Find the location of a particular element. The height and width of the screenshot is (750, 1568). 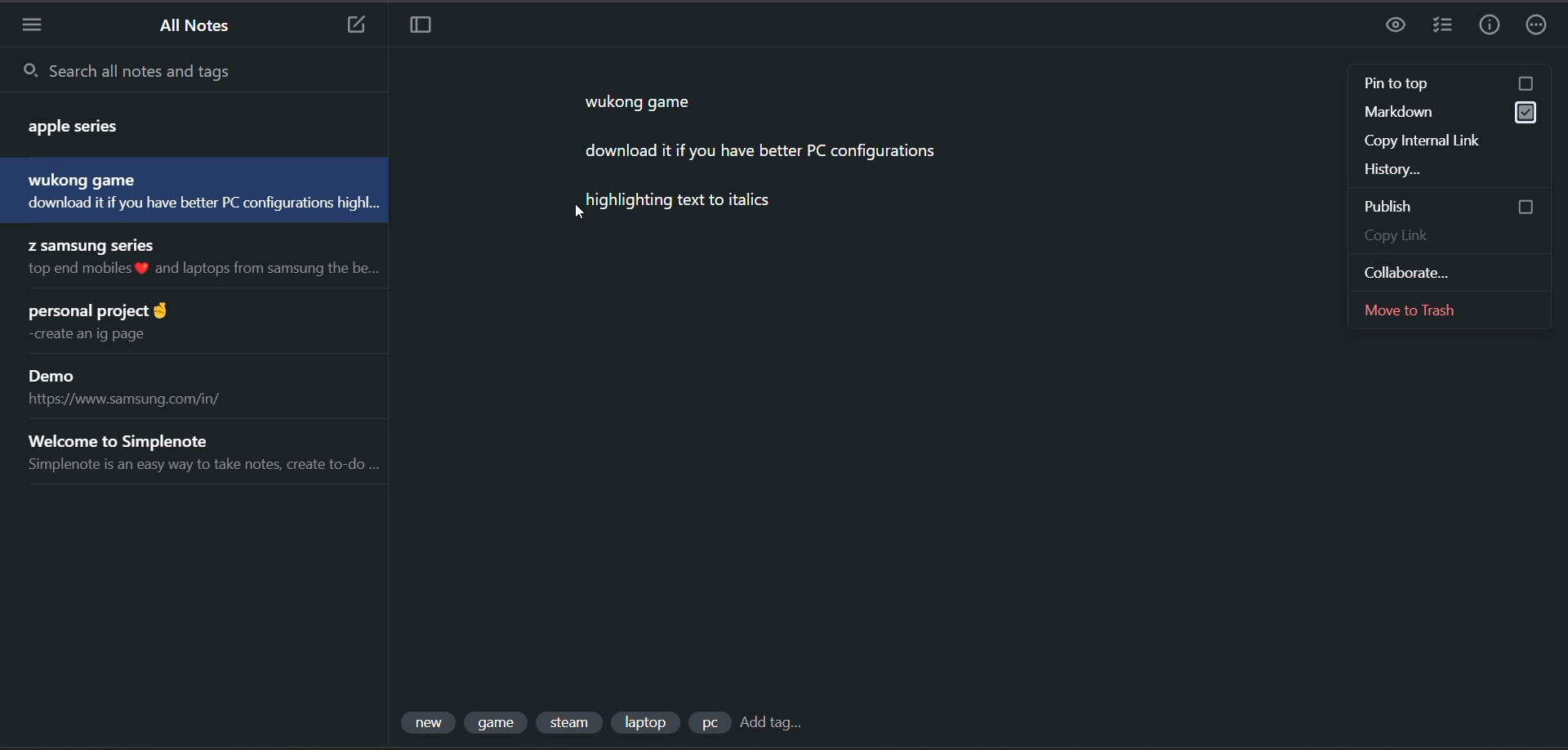

tag 2 is located at coordinates (498, 723).